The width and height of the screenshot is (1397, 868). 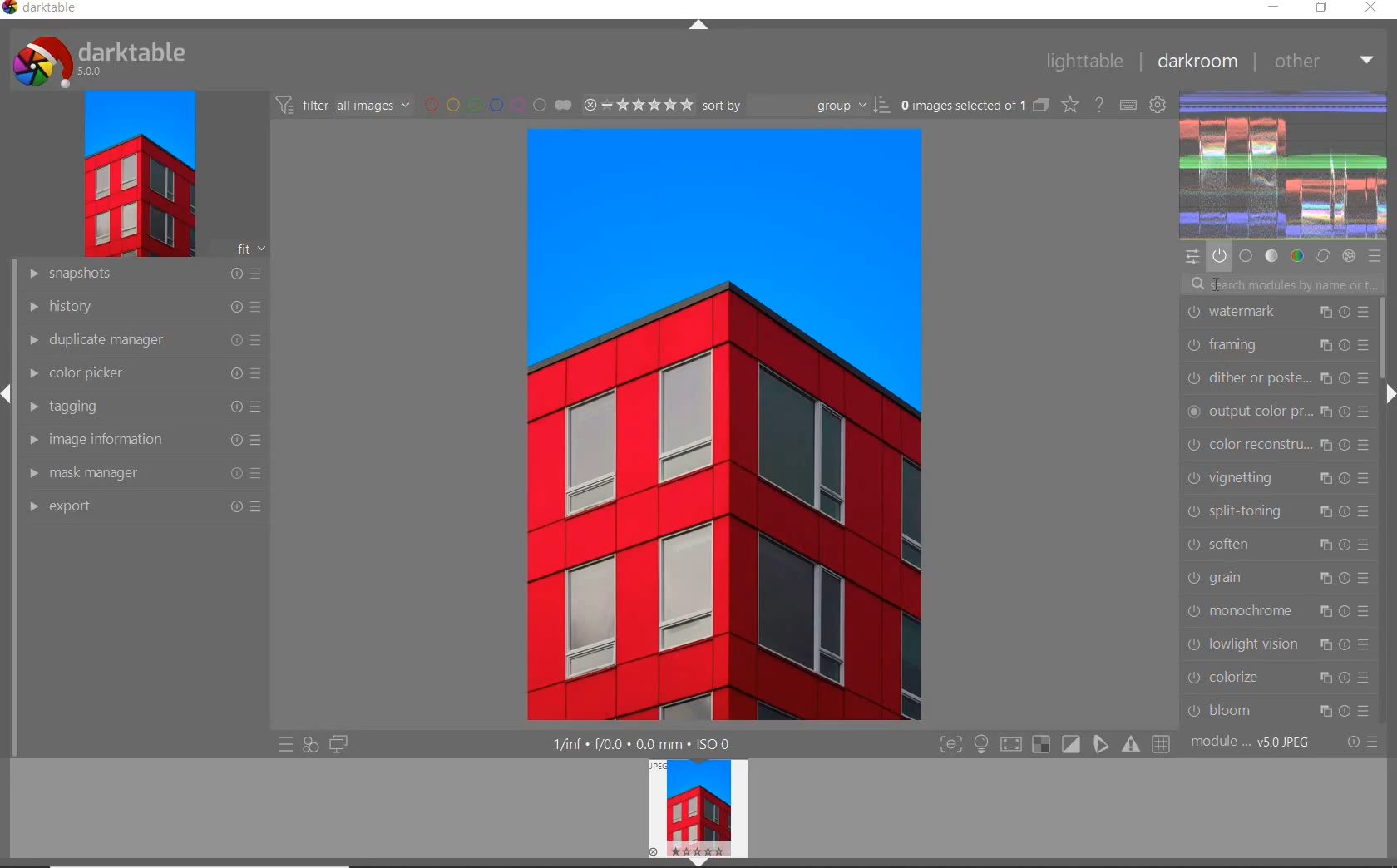 I want to click on show global preferences, so click(x=1159, y=106).